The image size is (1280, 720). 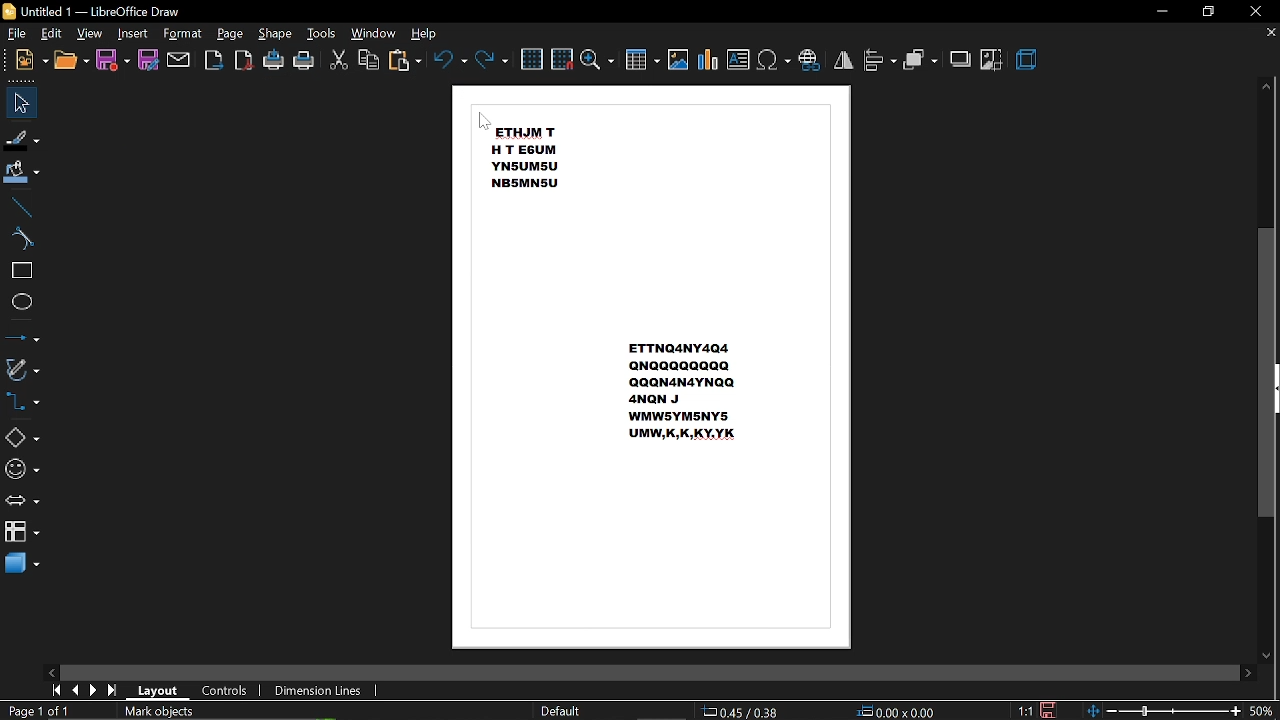 I want to click on flip, so click(x=844, y=59).